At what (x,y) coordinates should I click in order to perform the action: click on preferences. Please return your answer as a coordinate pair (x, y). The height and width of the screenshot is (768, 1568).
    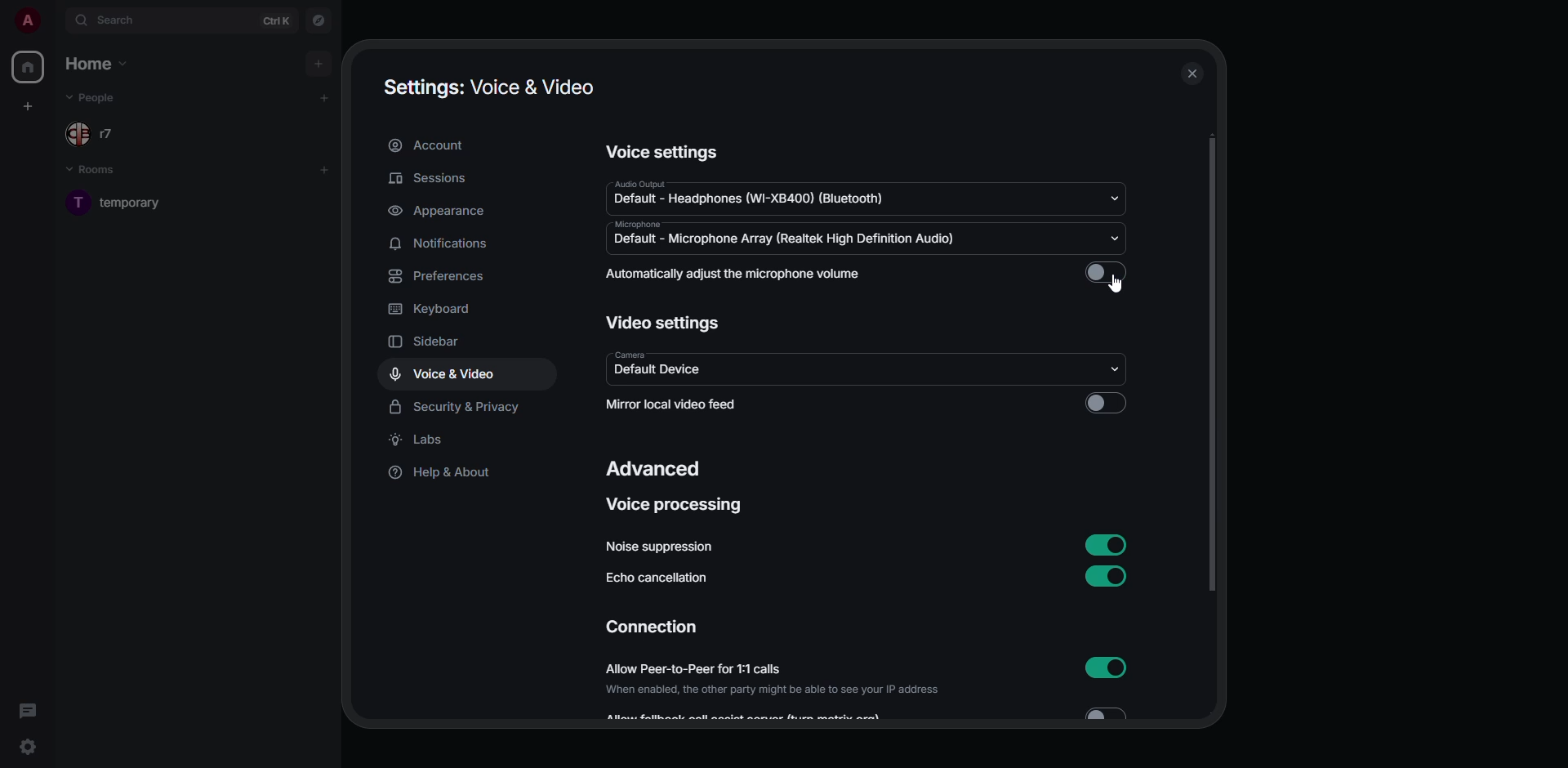
    Looking at the image, I should click on (447, 275).